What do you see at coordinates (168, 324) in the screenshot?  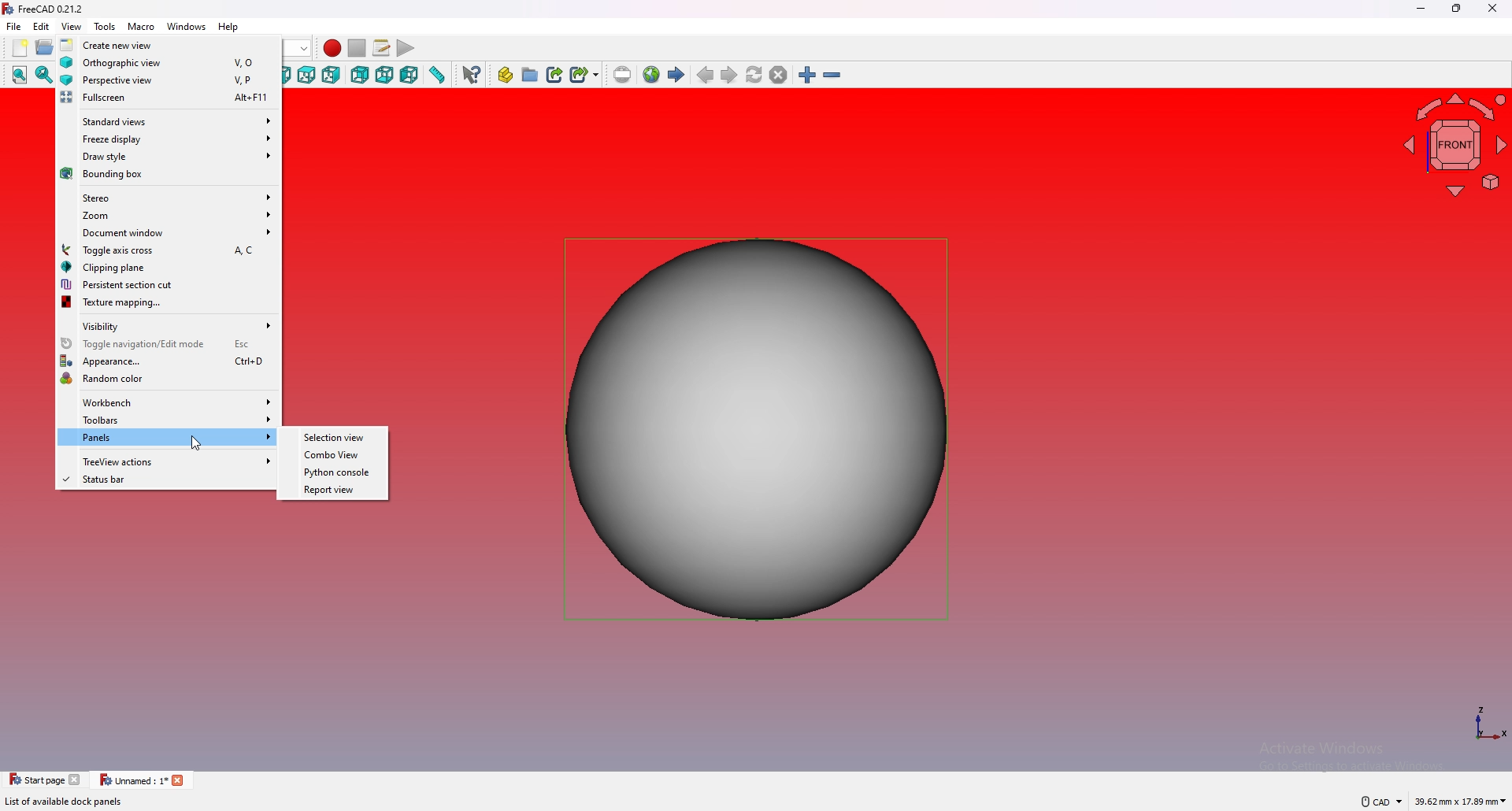 I see `visibility` at bounding box center [168, 324].